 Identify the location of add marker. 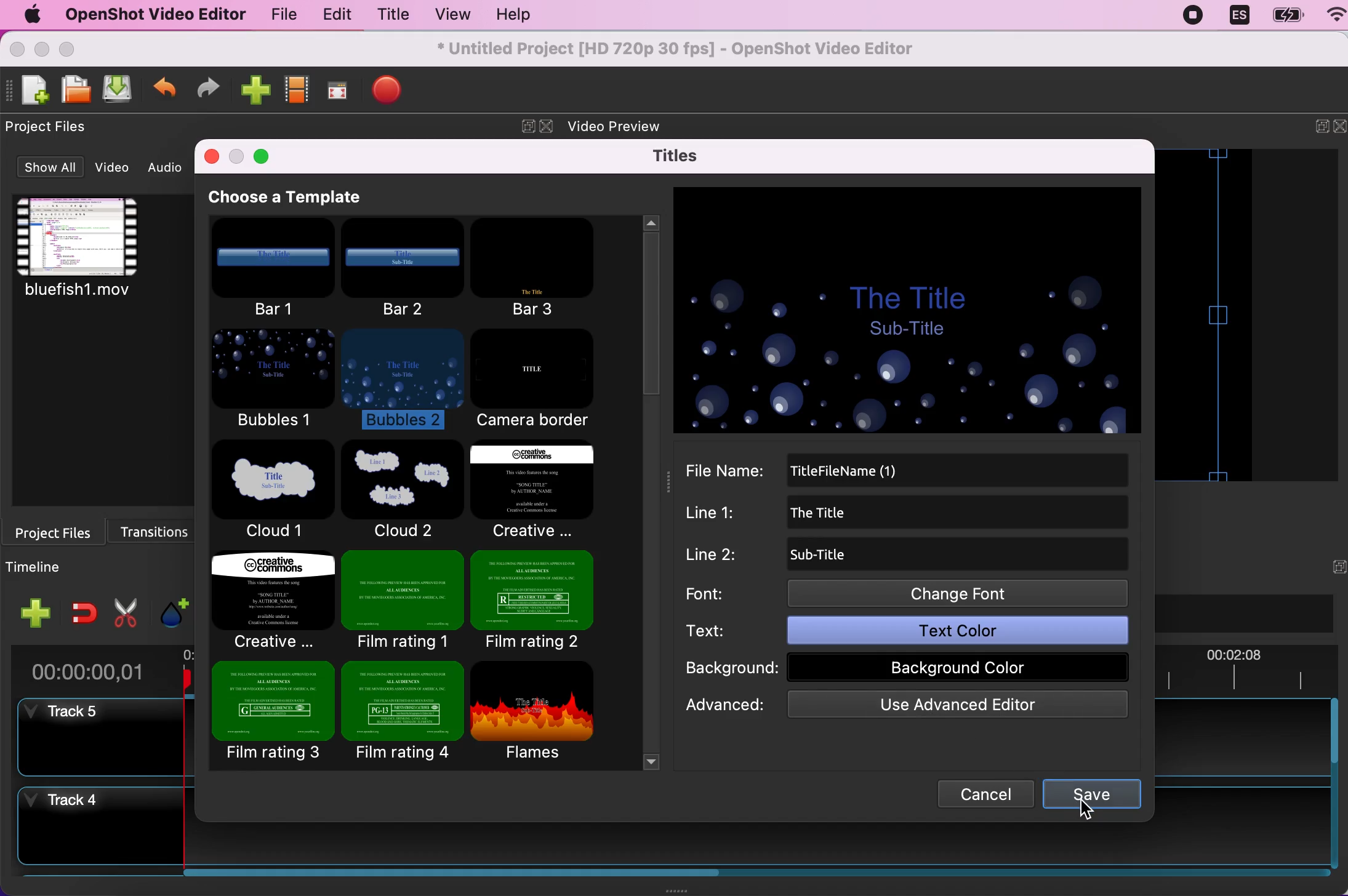
(173, 607).